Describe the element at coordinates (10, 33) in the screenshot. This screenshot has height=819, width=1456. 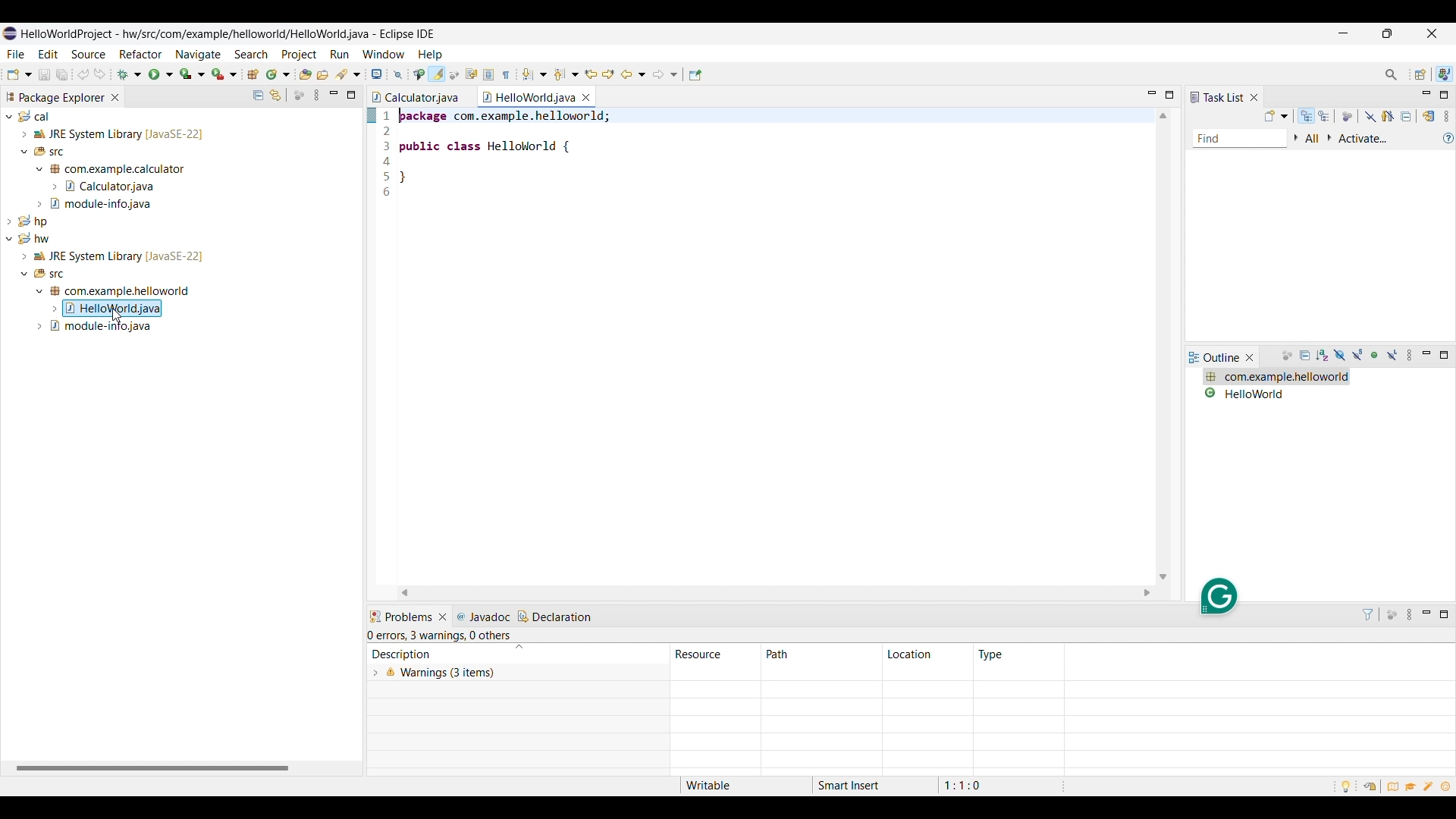
I see `Software logo` at that location.